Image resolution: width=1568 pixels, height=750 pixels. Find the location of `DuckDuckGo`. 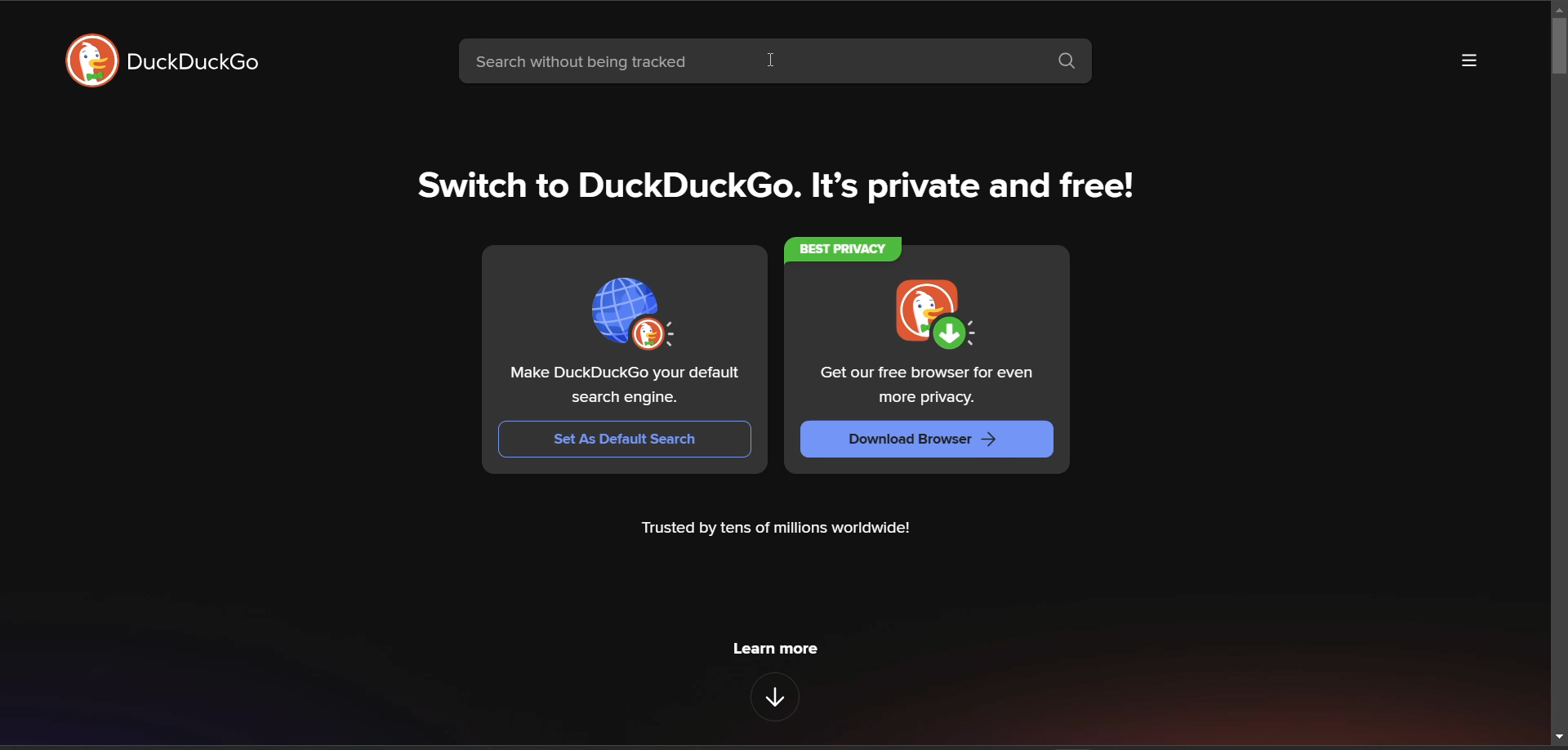

DuckDuckGo is located at coordinates (195, 65).